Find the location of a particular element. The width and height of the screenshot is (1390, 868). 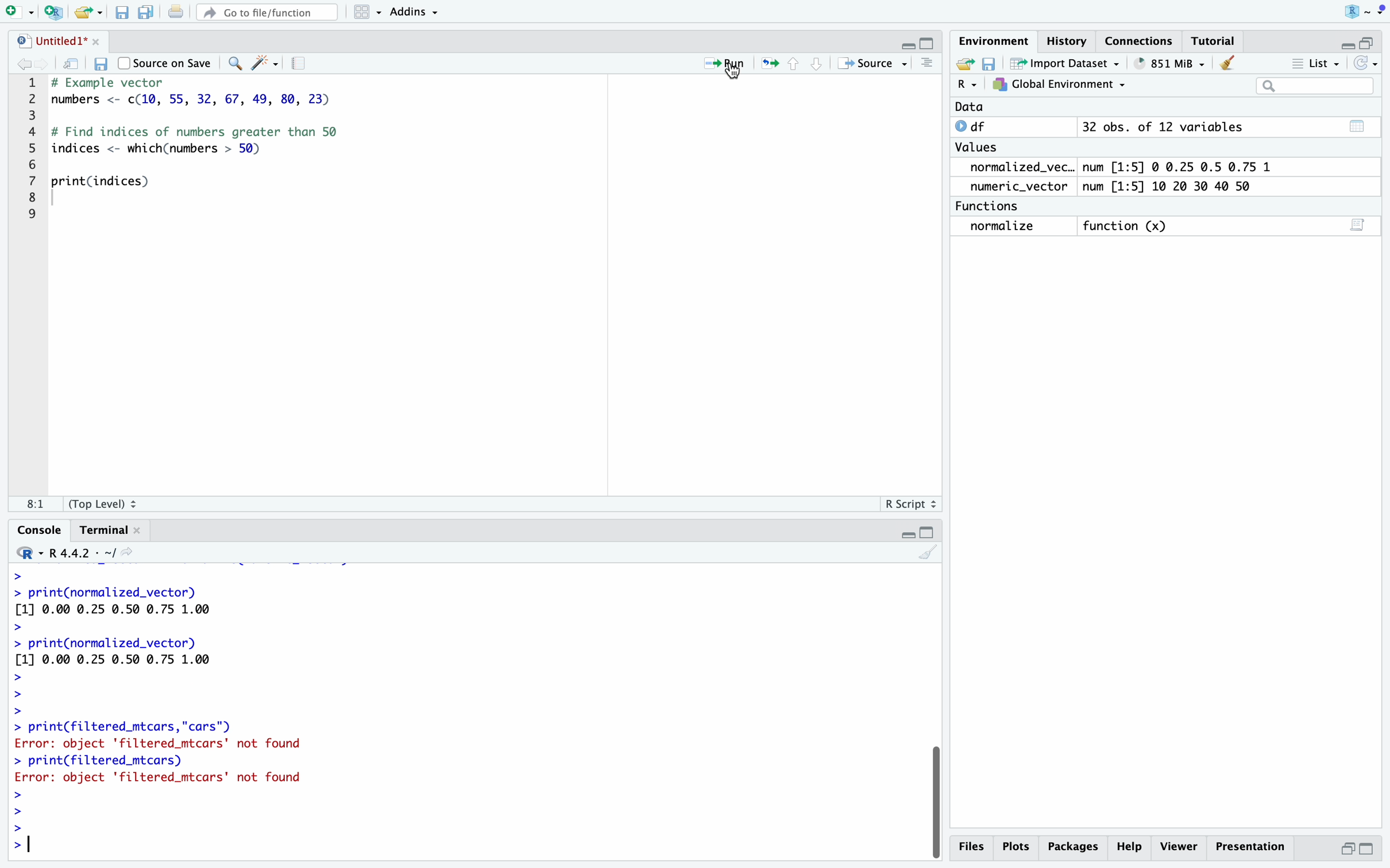

CURSOR is located at coordinates (734, 74).